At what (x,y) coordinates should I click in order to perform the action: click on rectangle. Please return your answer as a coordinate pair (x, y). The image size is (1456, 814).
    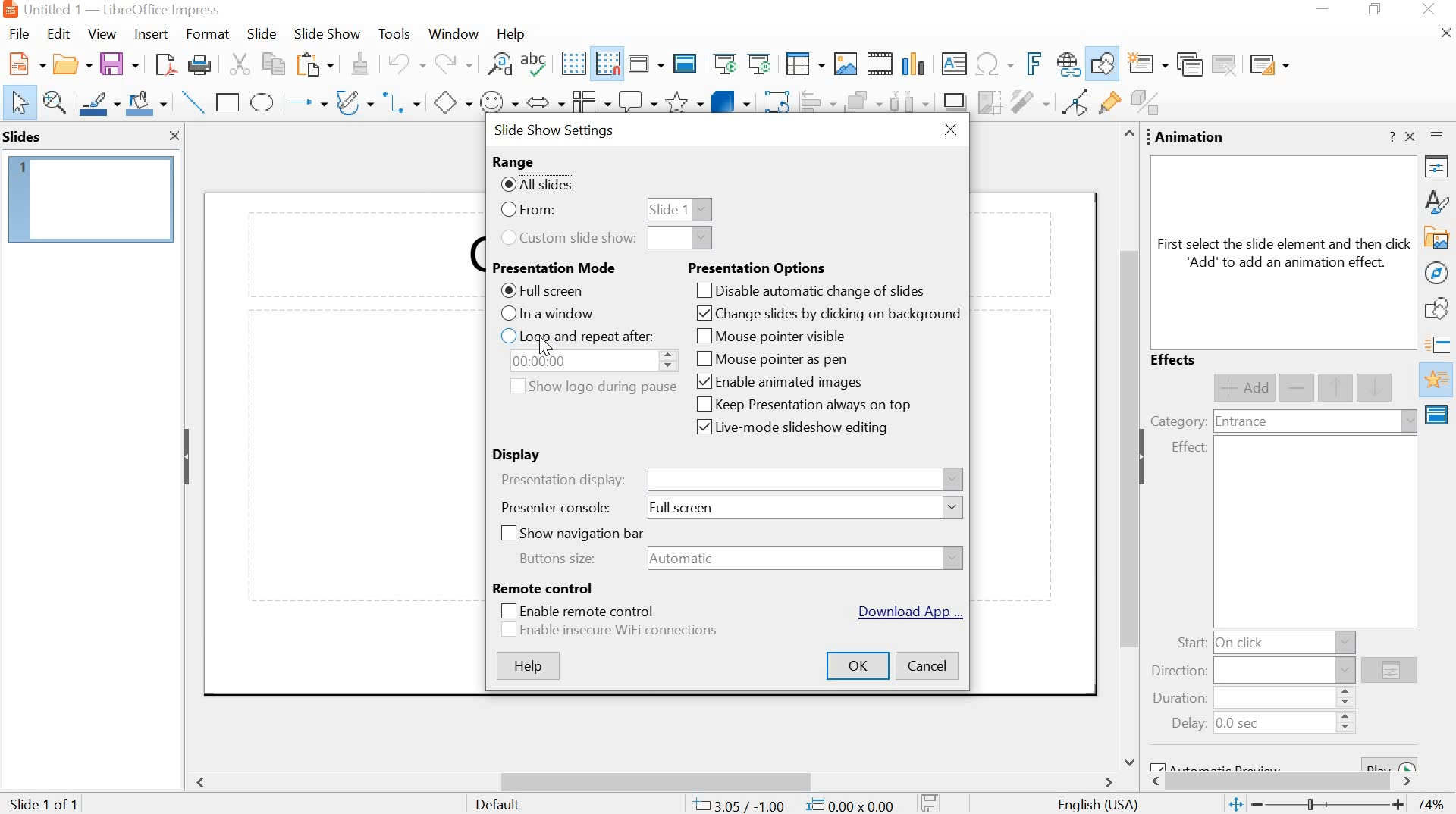
    Looking at the image, I should click on (228, 102).